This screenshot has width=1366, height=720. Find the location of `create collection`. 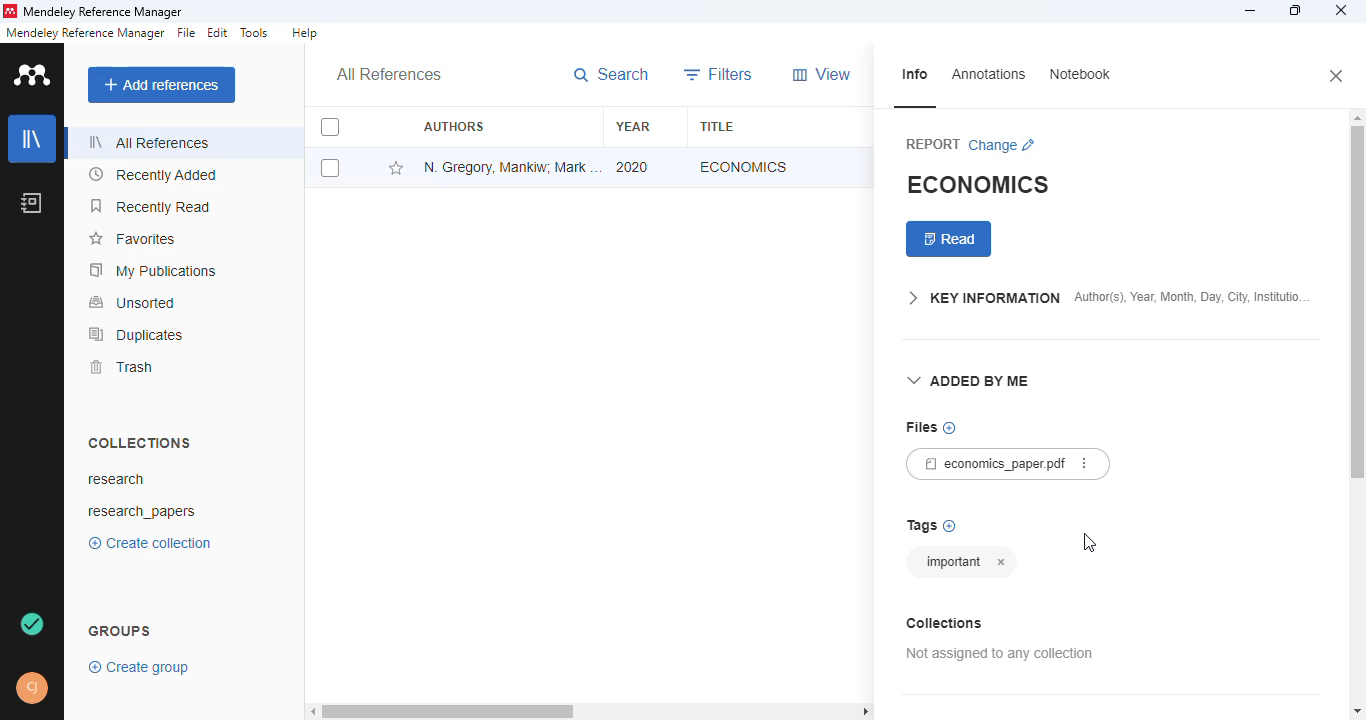

create collection is located at coordinates (149, 543).